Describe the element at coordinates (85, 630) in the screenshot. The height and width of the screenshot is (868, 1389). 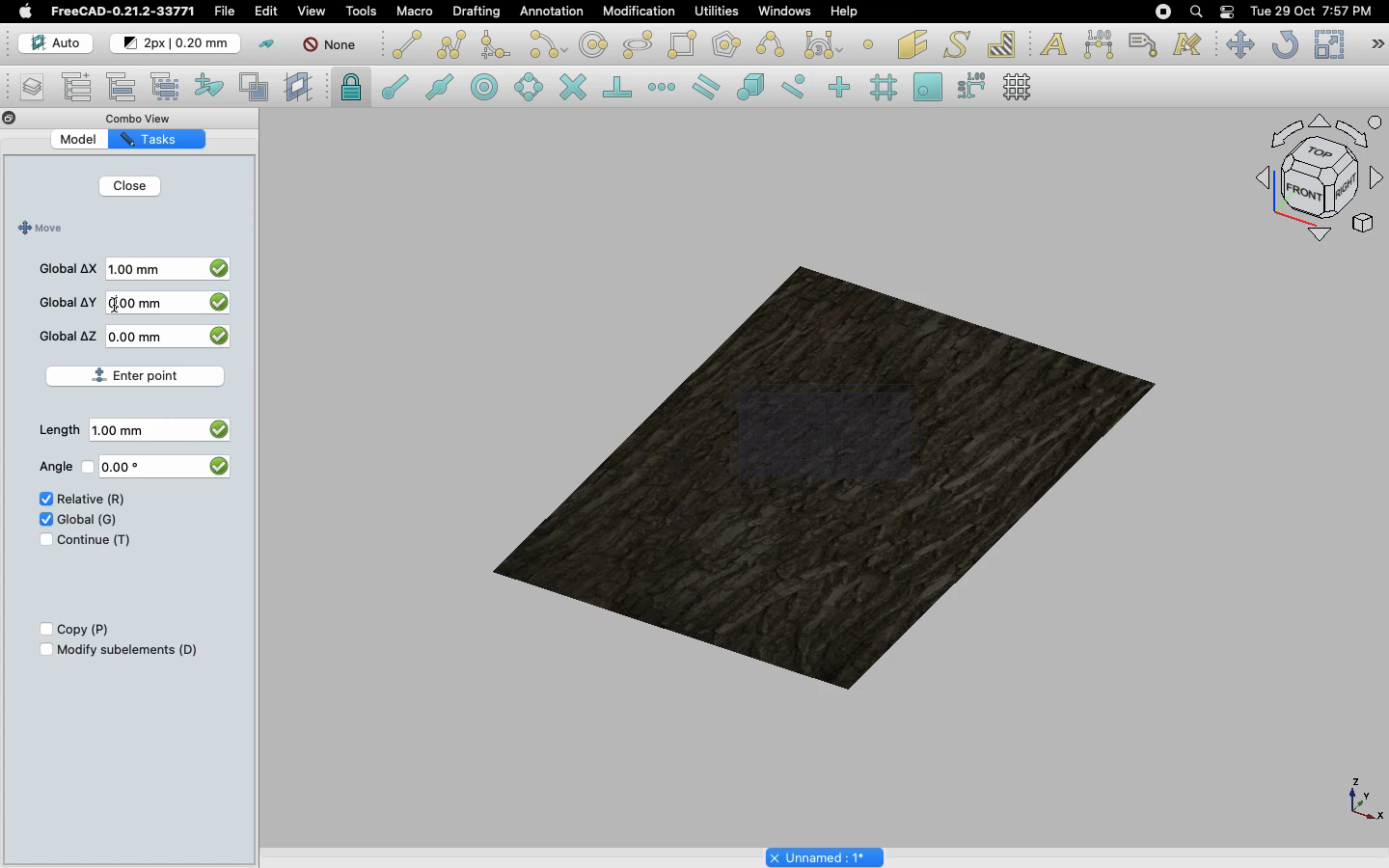
I see `Copy` at that location.